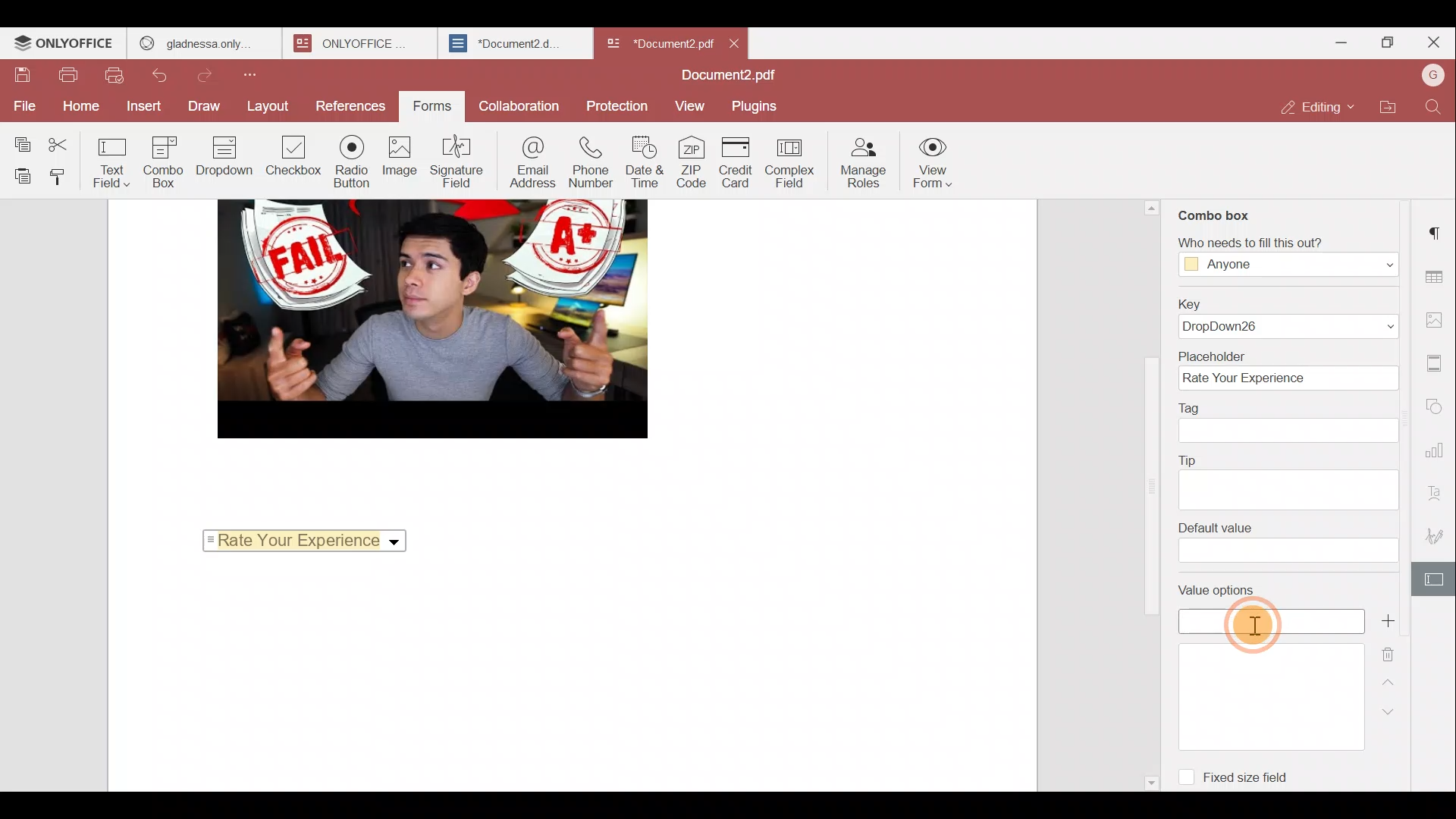  What do you see at coordinates (616, 103) in the screenshot?
I see `Protection` at bounding box center [616, 103].